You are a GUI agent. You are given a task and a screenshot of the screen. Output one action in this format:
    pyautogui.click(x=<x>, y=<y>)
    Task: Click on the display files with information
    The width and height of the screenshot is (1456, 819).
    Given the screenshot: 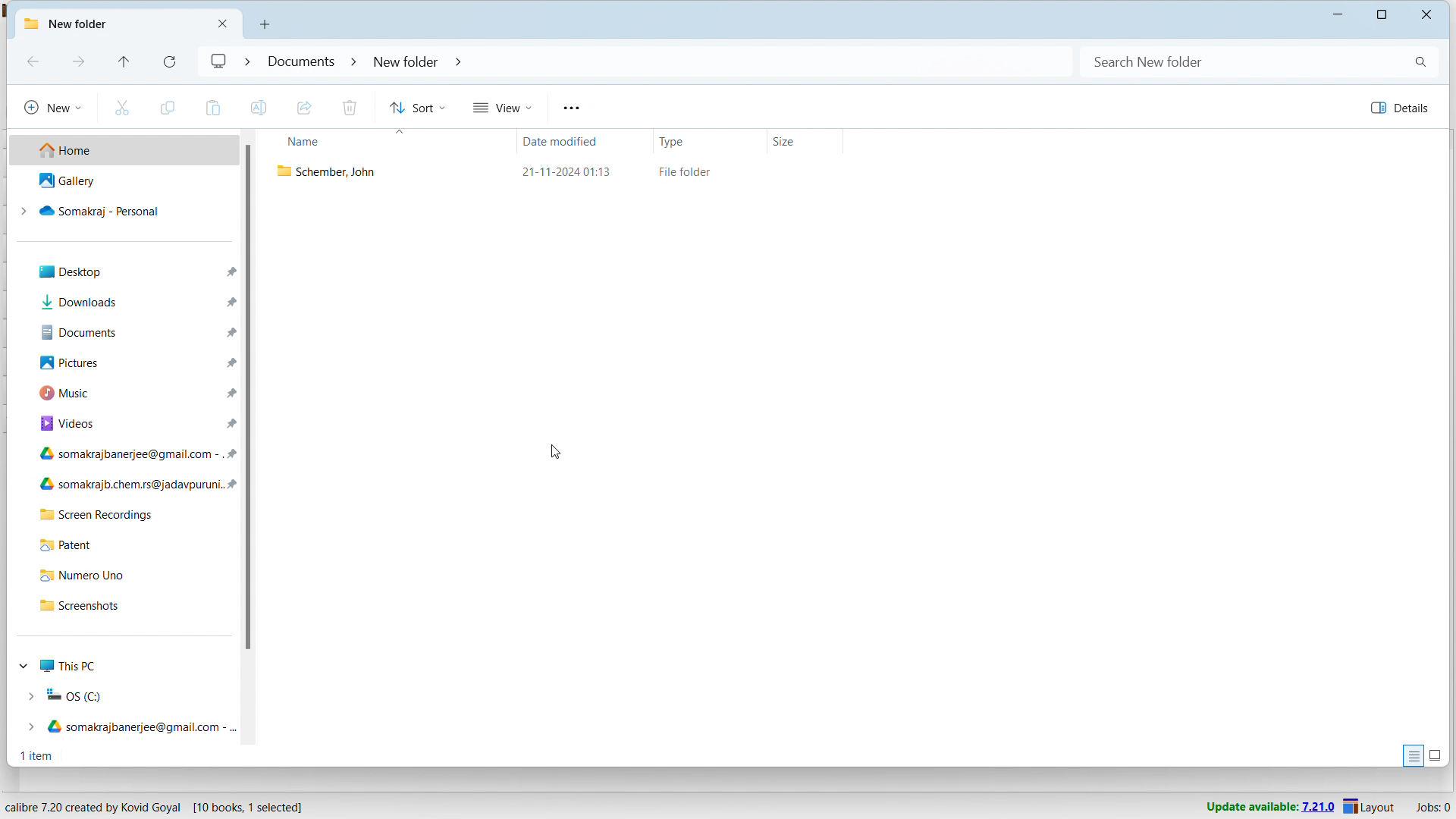 What is the action you would take?
    pyautogui.click(x=1414, y=756)
    